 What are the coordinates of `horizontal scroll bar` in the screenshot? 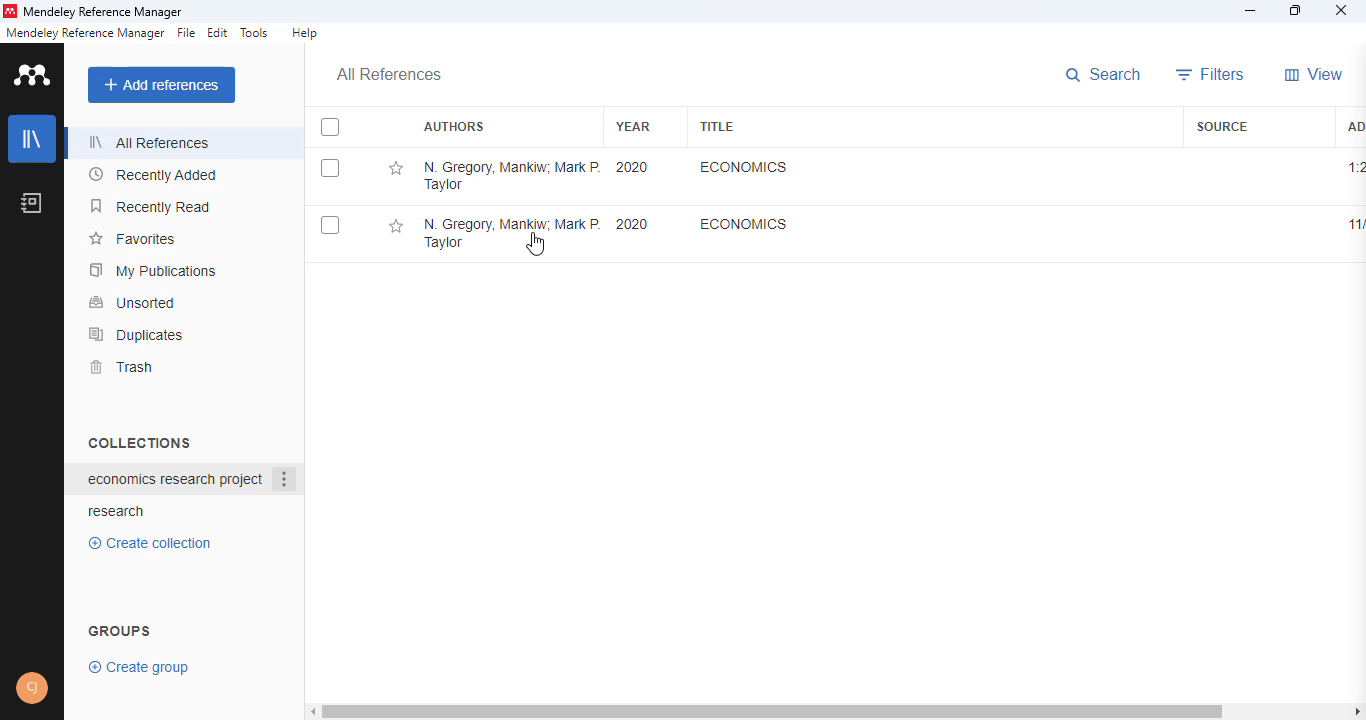 It's located at (837, 710).